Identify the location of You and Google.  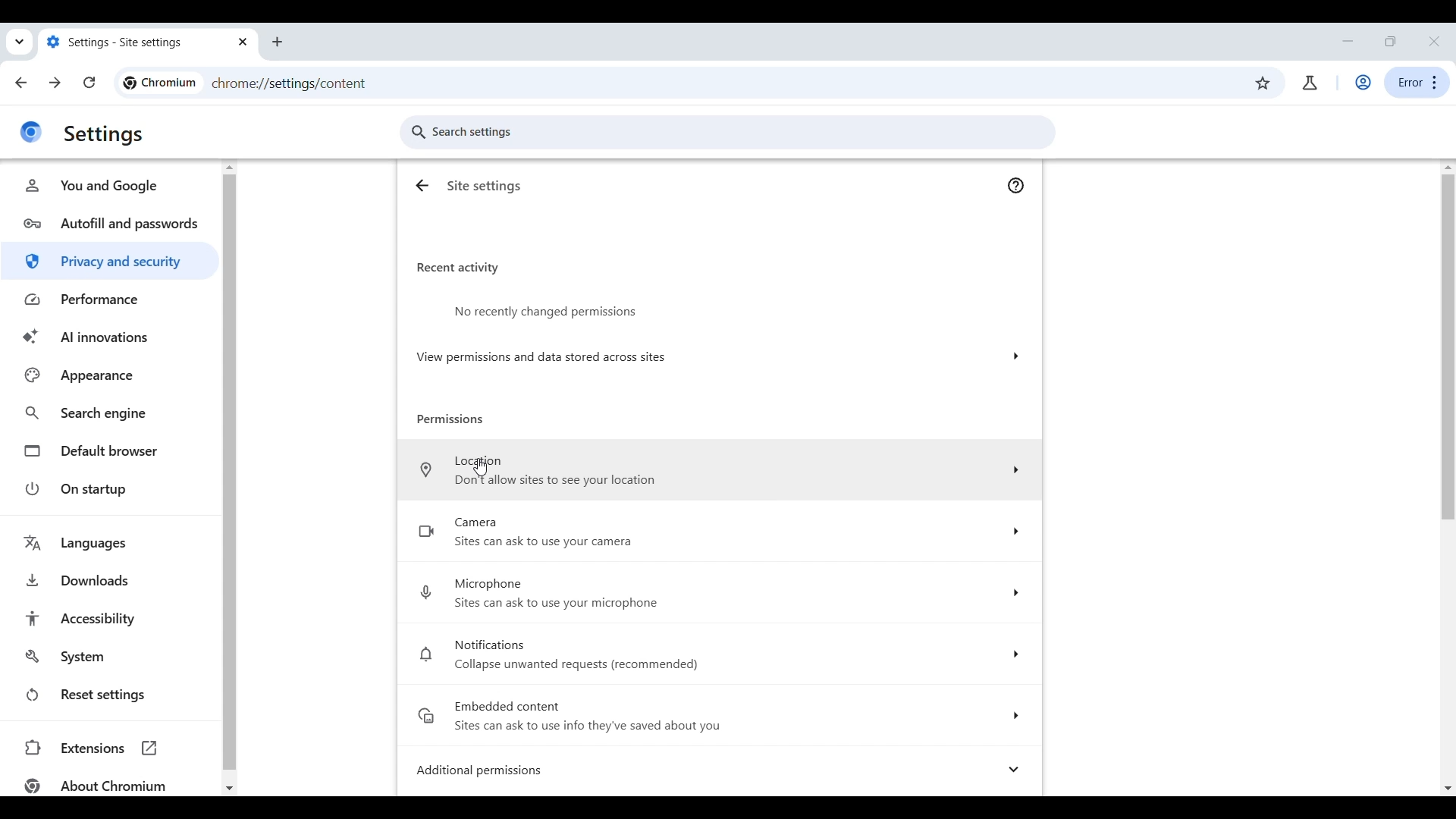
(110, 185).